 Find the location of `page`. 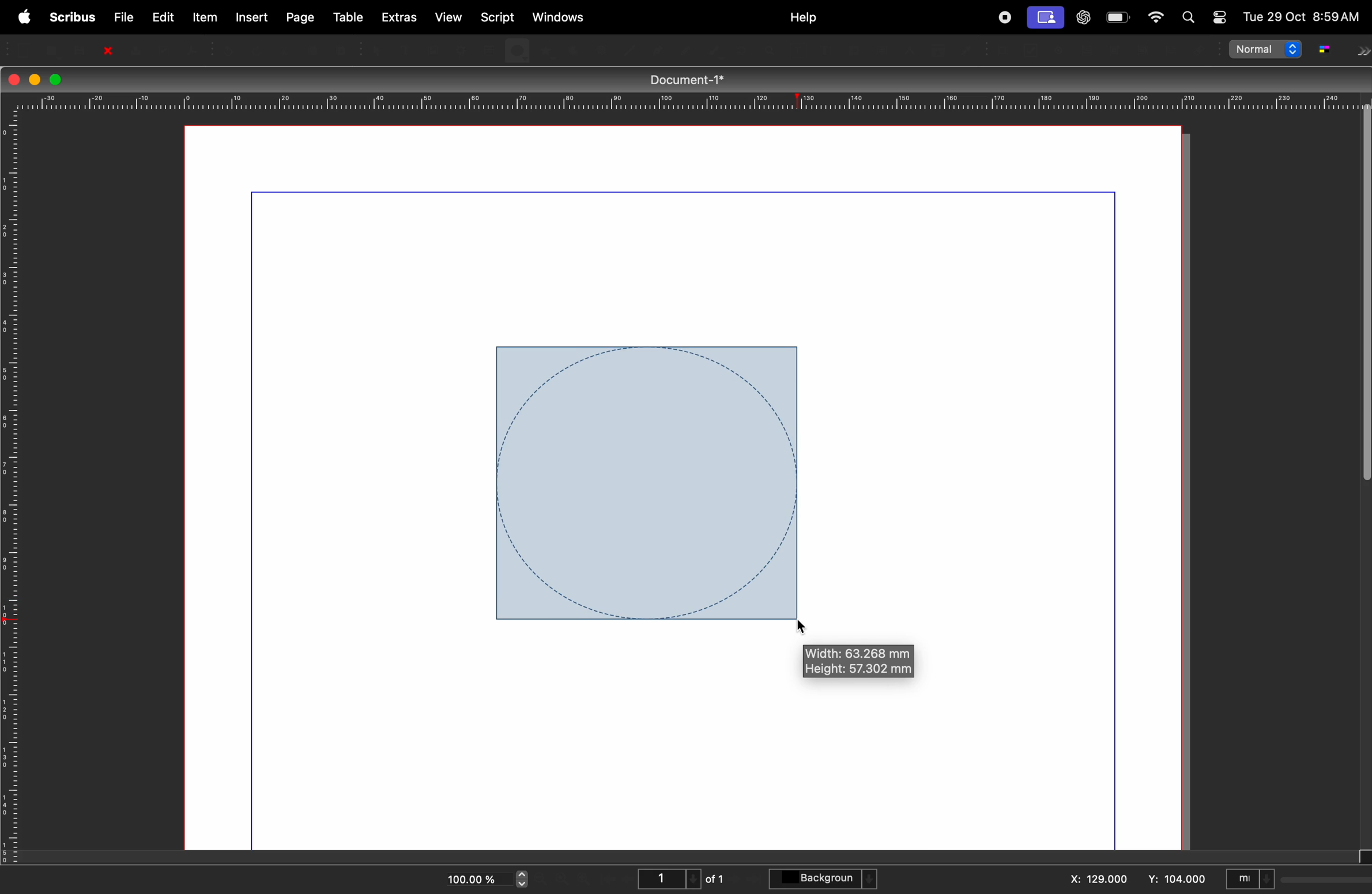

page is located at coordinates (300, 16).